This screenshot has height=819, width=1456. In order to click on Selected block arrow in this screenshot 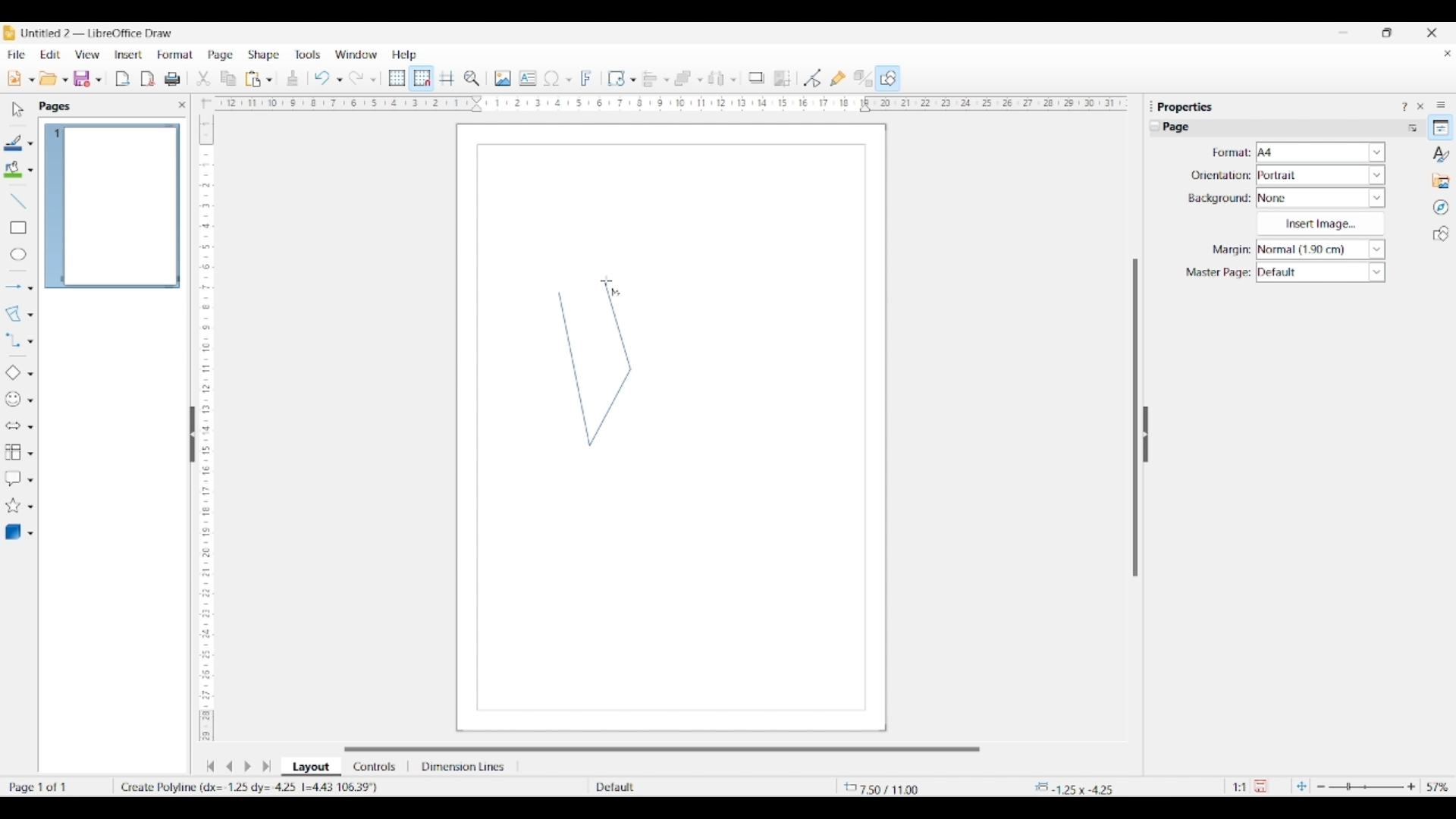, I will do `click(12, 426)`.